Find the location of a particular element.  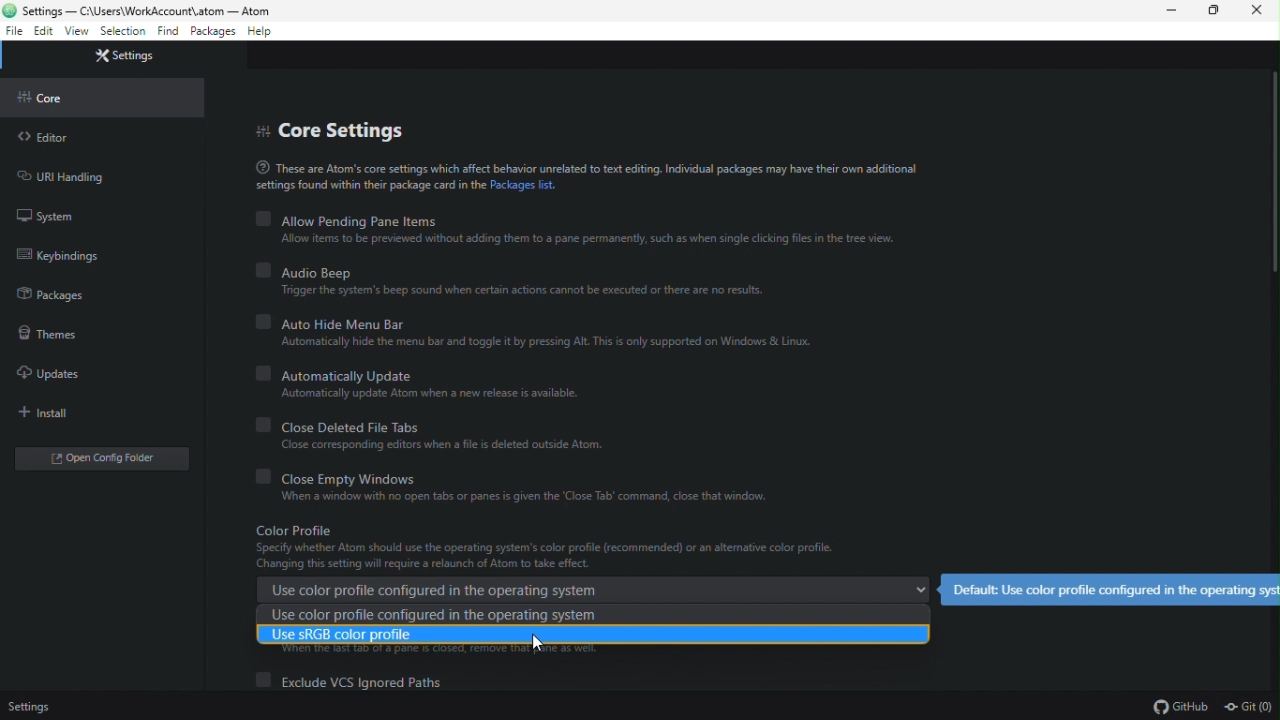

use sRGB color profile is located at coordinates (591, 634).